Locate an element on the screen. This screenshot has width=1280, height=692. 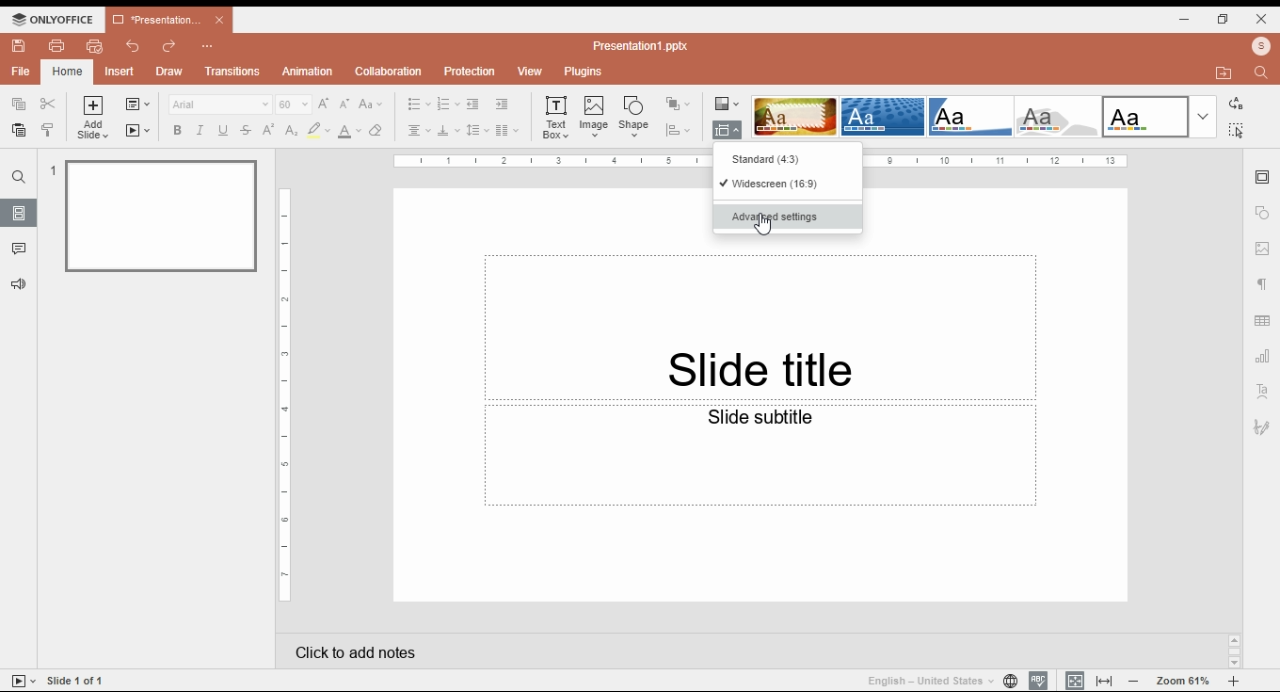
arrange shape is located at coordinates (677, 104).